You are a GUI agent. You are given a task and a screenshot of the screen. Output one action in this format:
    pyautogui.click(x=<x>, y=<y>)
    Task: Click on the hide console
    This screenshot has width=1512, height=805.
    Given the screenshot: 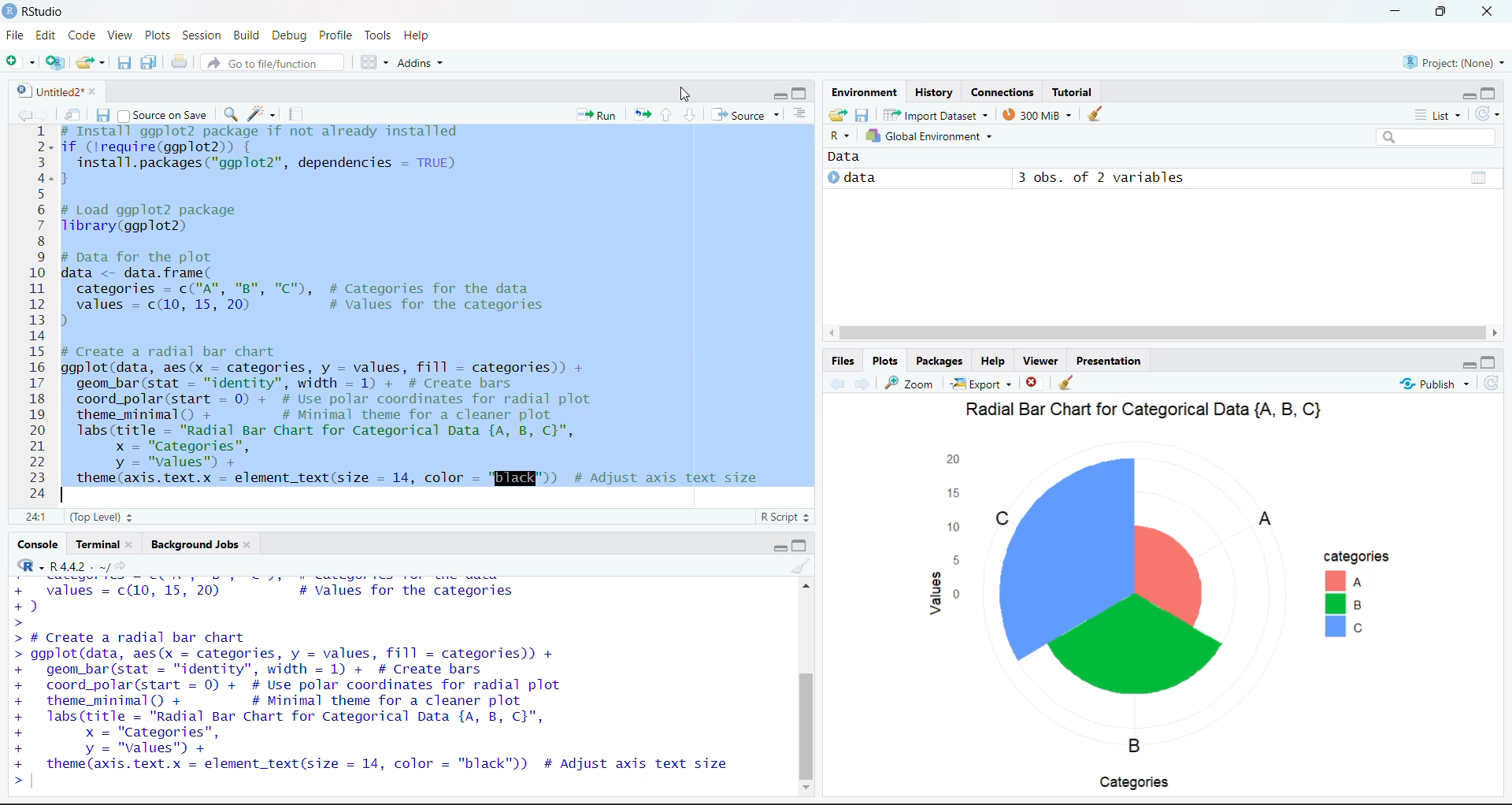 What is the action you would take?
    pyautogui.click(x=802, y=544)
    